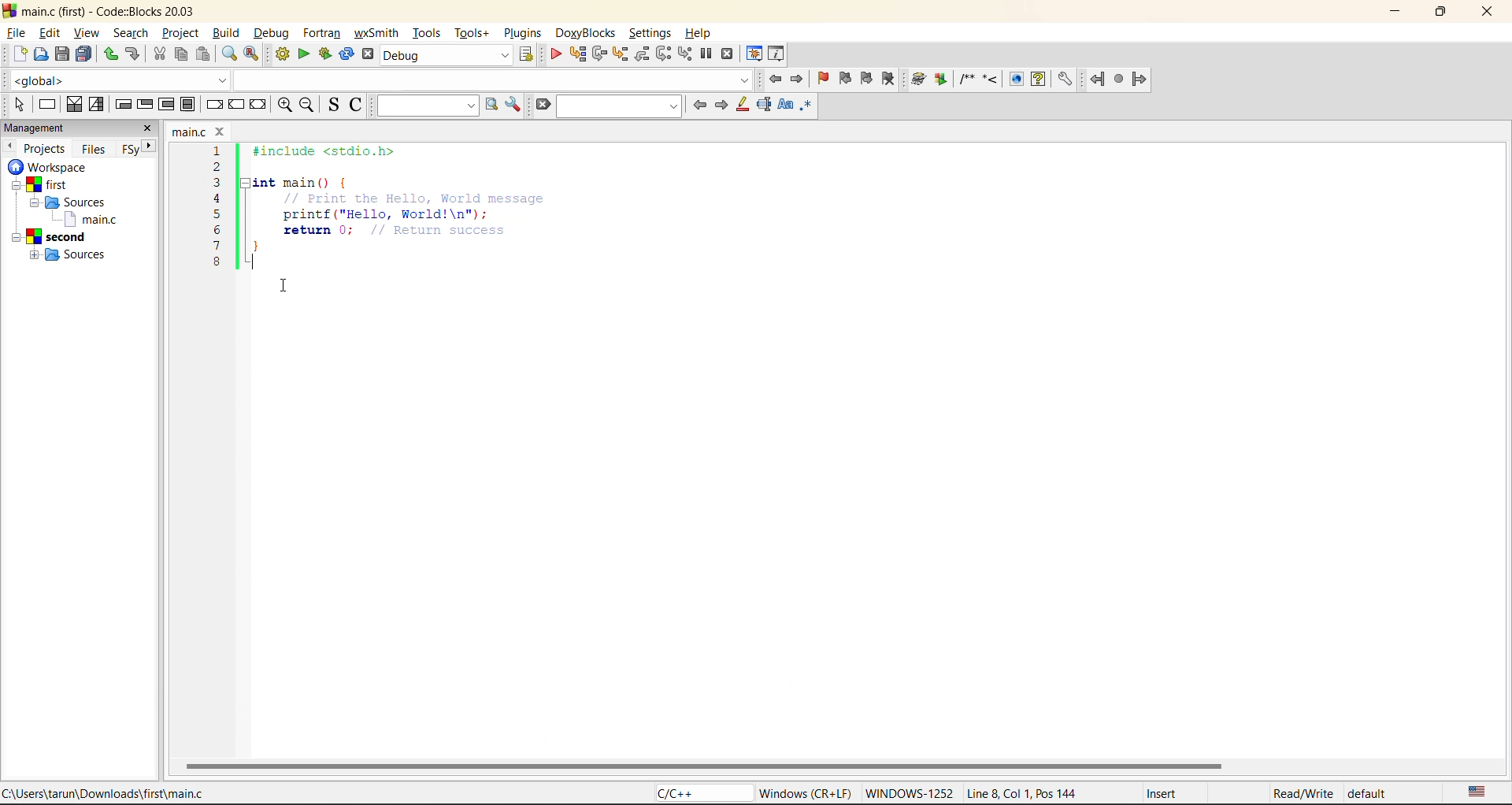  Describe the element at coordinates (79, 255) in the screenshot. I see `Sources` at that location.